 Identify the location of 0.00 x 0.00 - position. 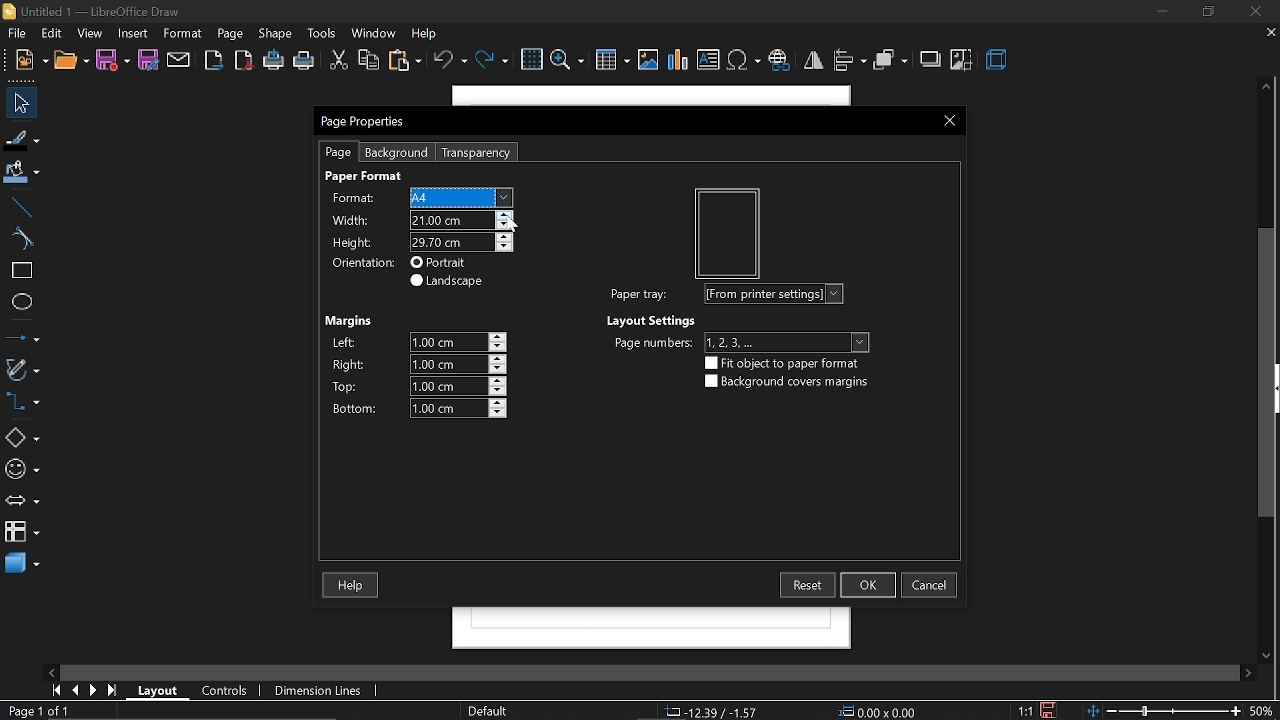
(879, 710).